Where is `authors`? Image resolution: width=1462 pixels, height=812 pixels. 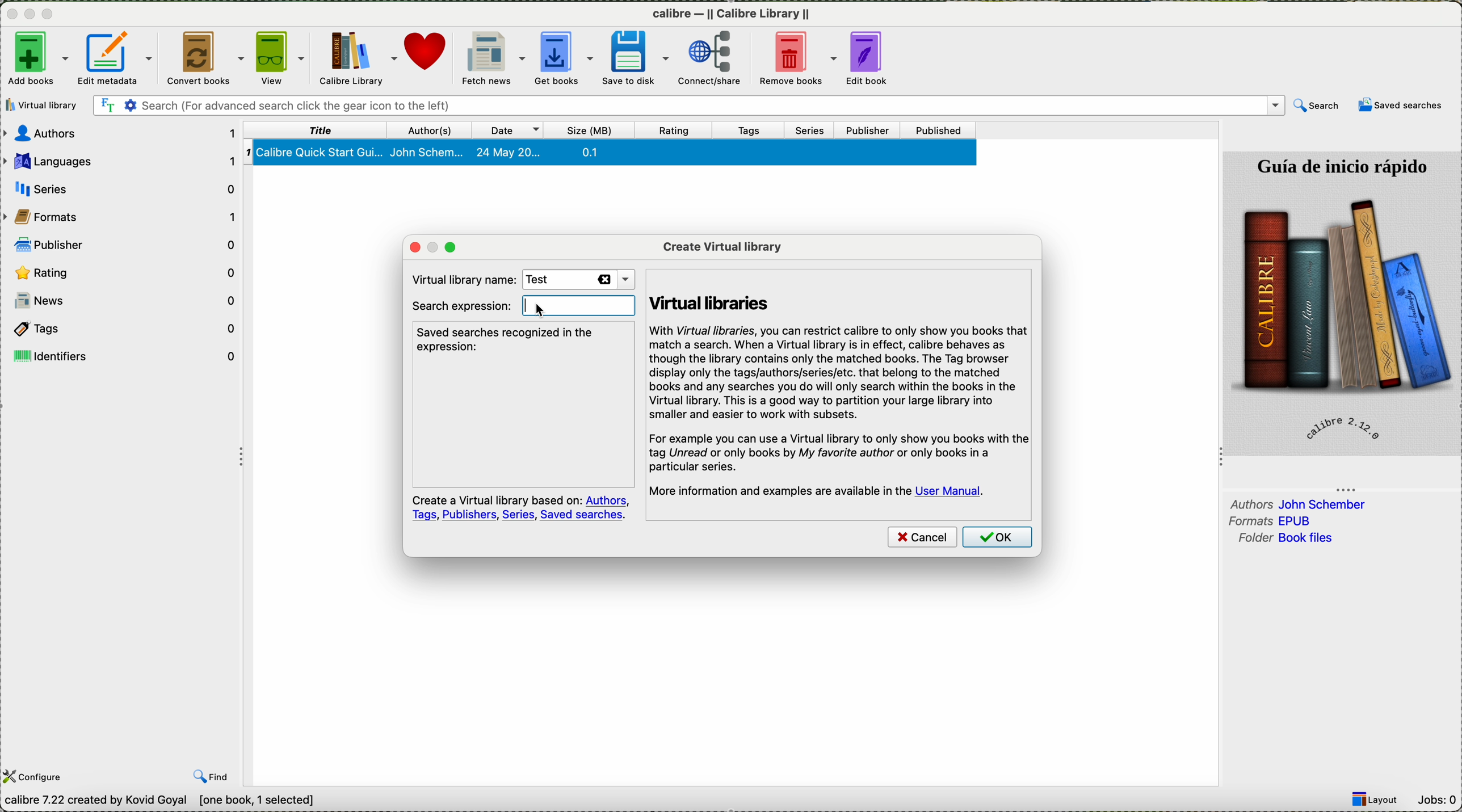 authors is located at coordinates (1299, 503).